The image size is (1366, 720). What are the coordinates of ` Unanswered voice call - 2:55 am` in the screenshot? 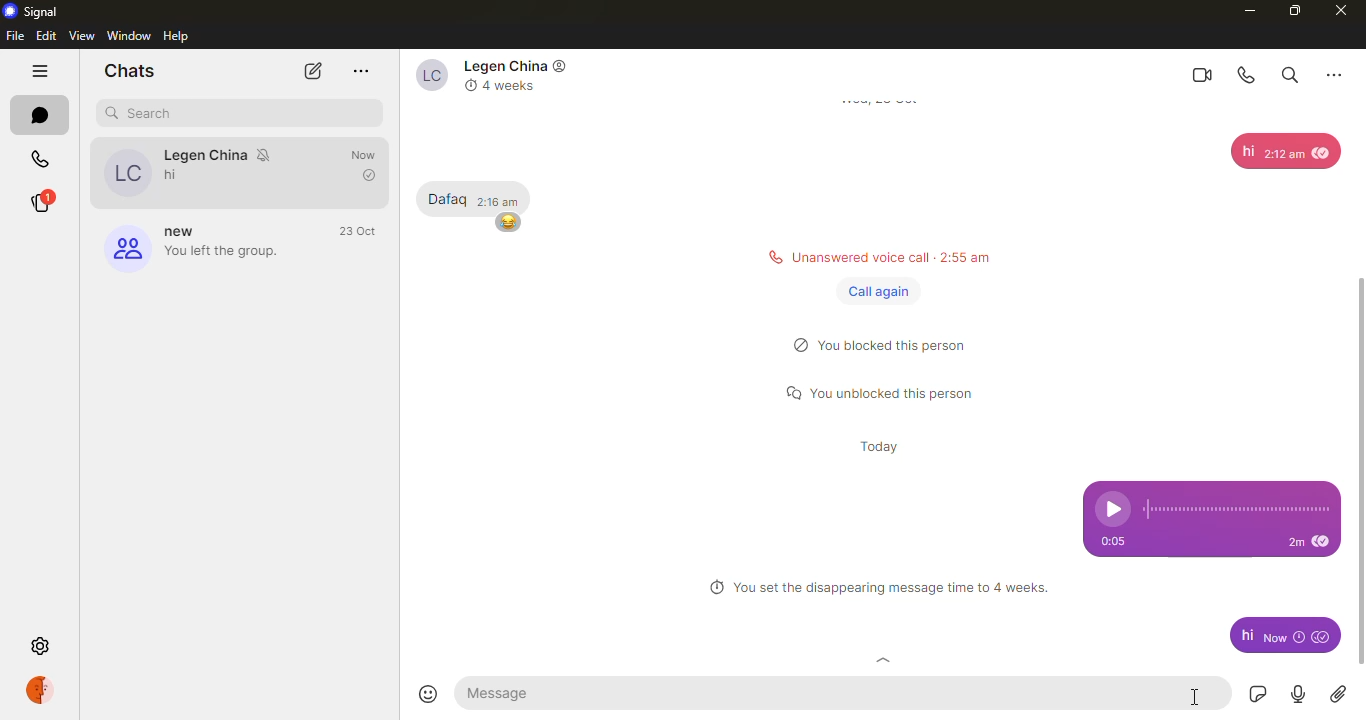 It's located at (873, 256).